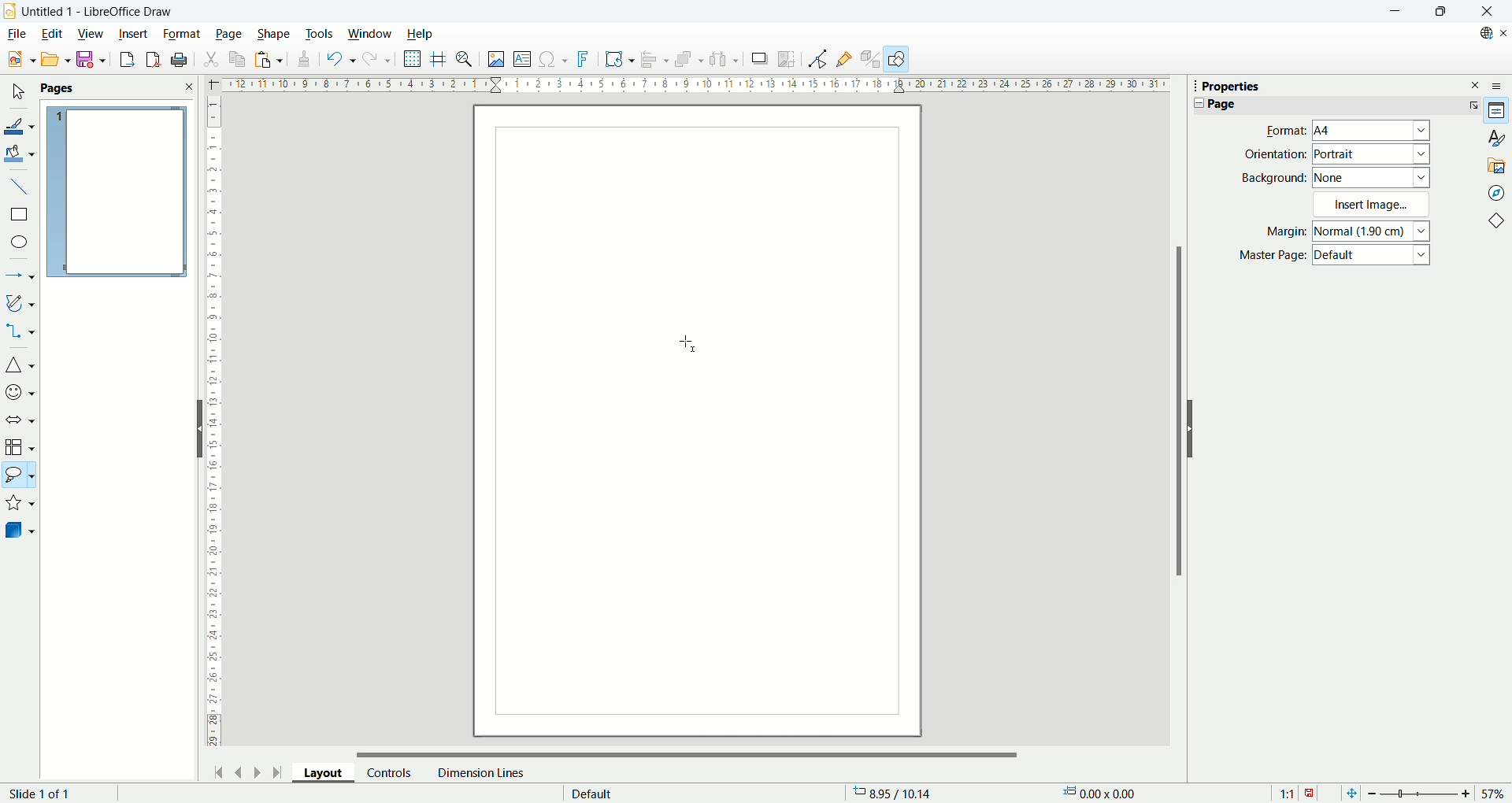 This screenshot has height=803, width=1512. What do you see at coordinates (697, 561) in the screenshot?
I see `Main Page` at bounding box center [697, 561].